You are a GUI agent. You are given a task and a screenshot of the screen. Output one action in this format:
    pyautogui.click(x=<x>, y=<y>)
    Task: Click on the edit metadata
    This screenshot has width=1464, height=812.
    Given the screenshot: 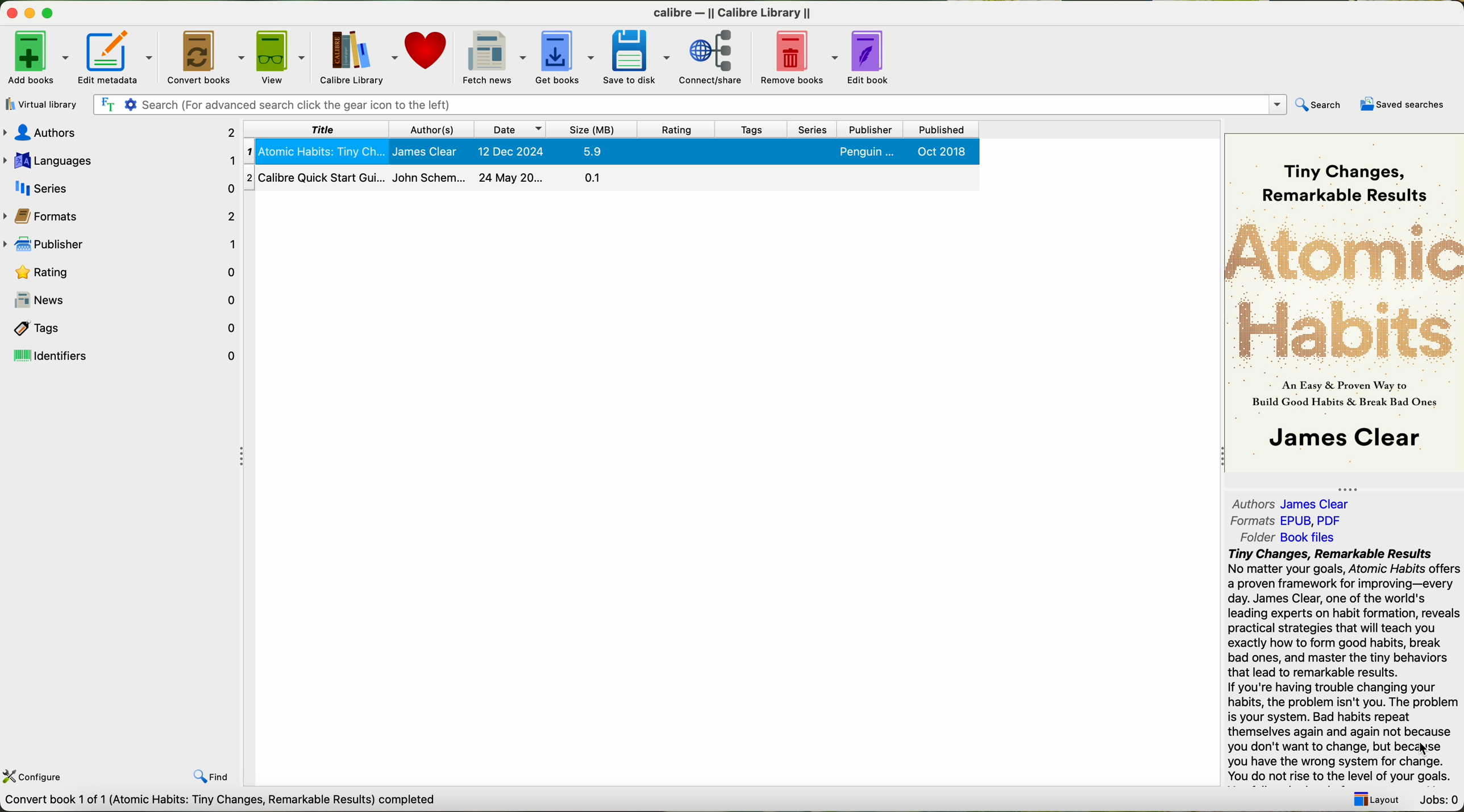 What is the action you would take?
    pyautogui.click(x=117, y=56)
    